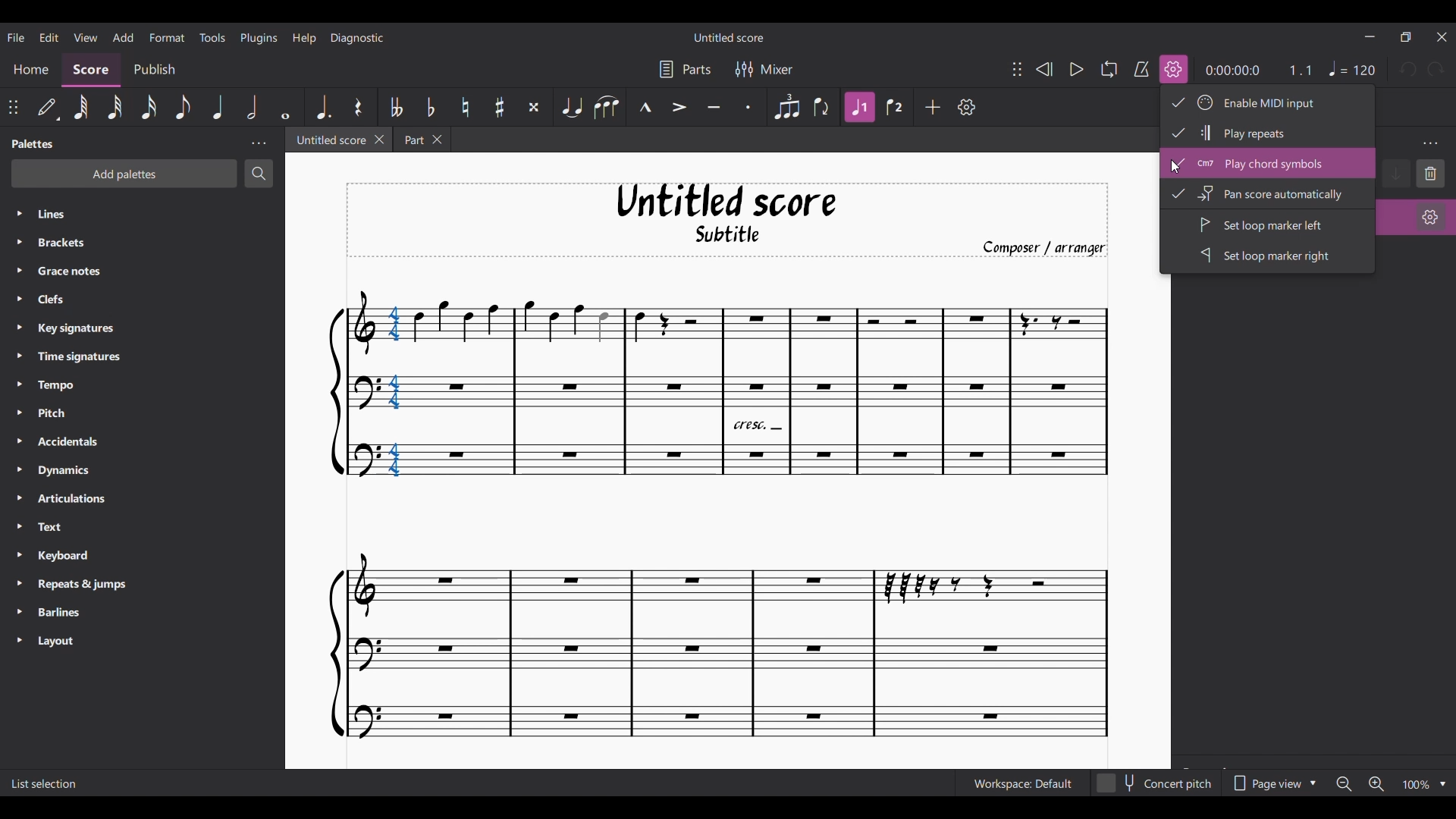 Image resolution: width=1456 pixels, height=819 pixels. Describe the element at coordinates (18, 427) in the screenshot. I see `Expand respective palette lines` at that location.